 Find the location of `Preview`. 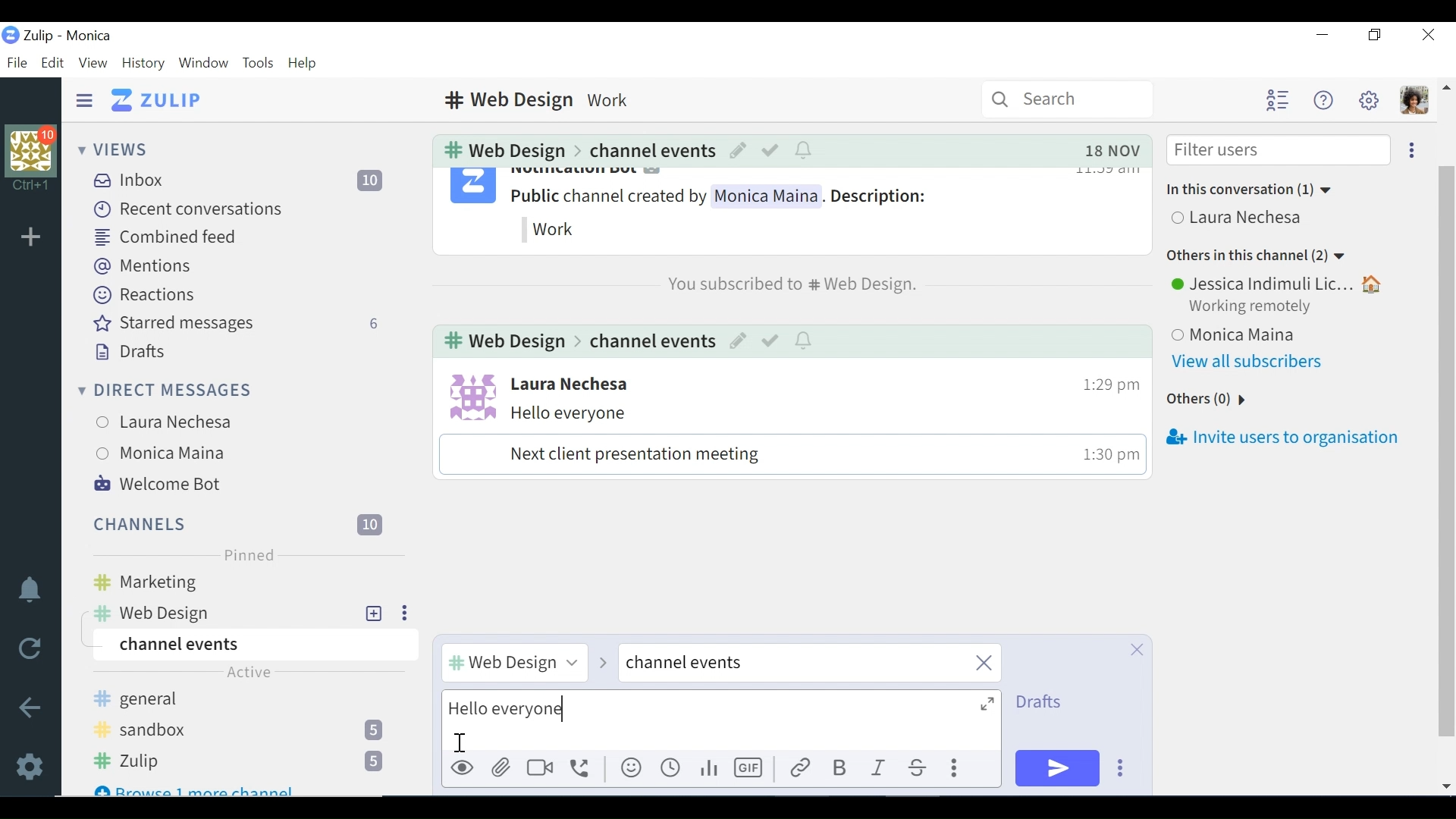

Preview is located at coordinates (463, 769).